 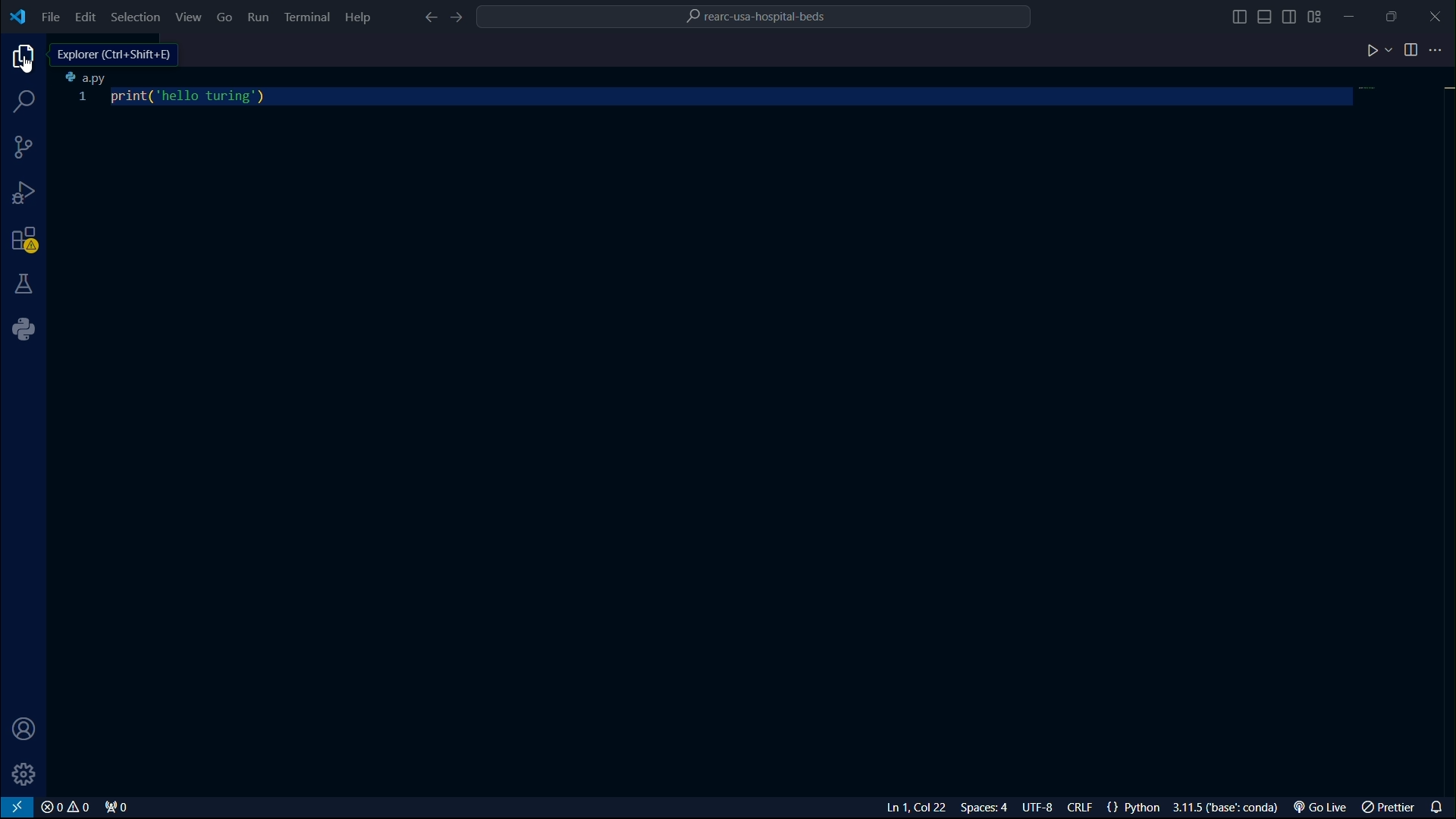 What do you see at coordinates (1040, 807) in the screenshot?
I see `UTF-8` at bounding box center [1040, 807].